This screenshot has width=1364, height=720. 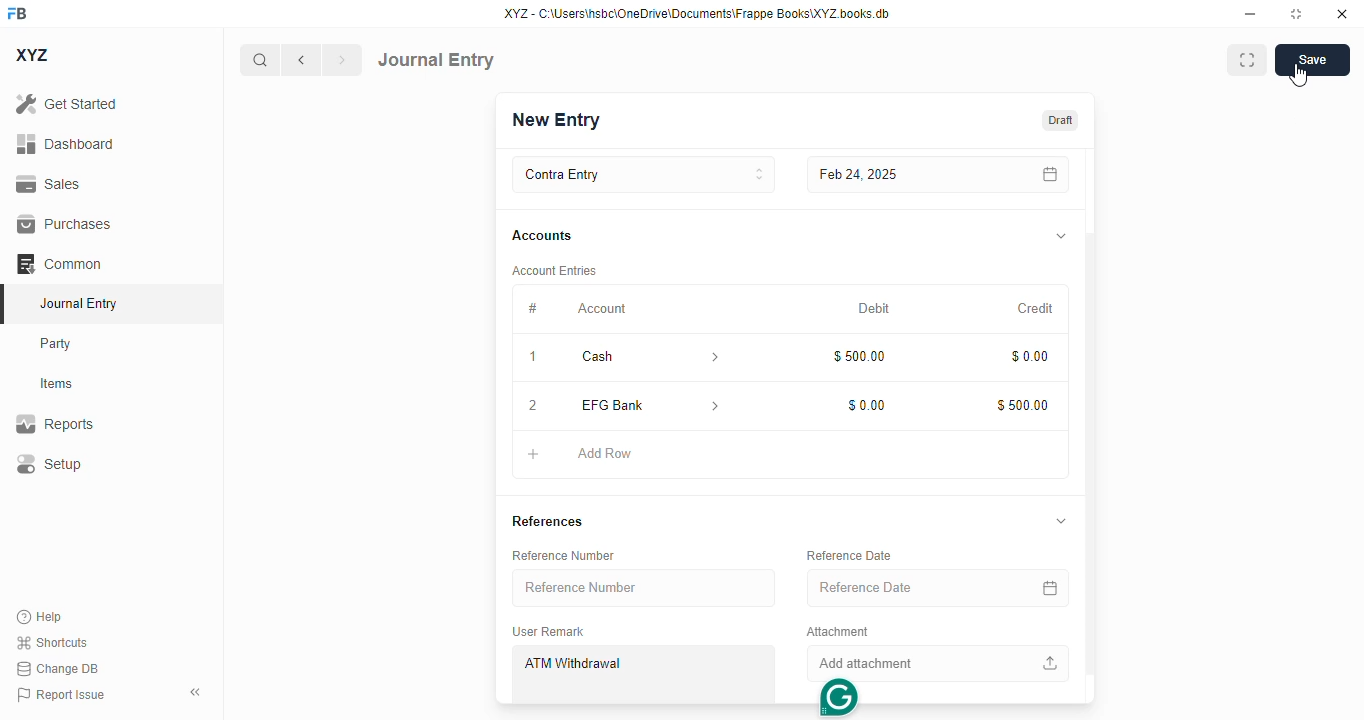 What do you see at coordinates (436, 60) in the screenshot?
I see `journal entry` at bounding box center [436, 60].